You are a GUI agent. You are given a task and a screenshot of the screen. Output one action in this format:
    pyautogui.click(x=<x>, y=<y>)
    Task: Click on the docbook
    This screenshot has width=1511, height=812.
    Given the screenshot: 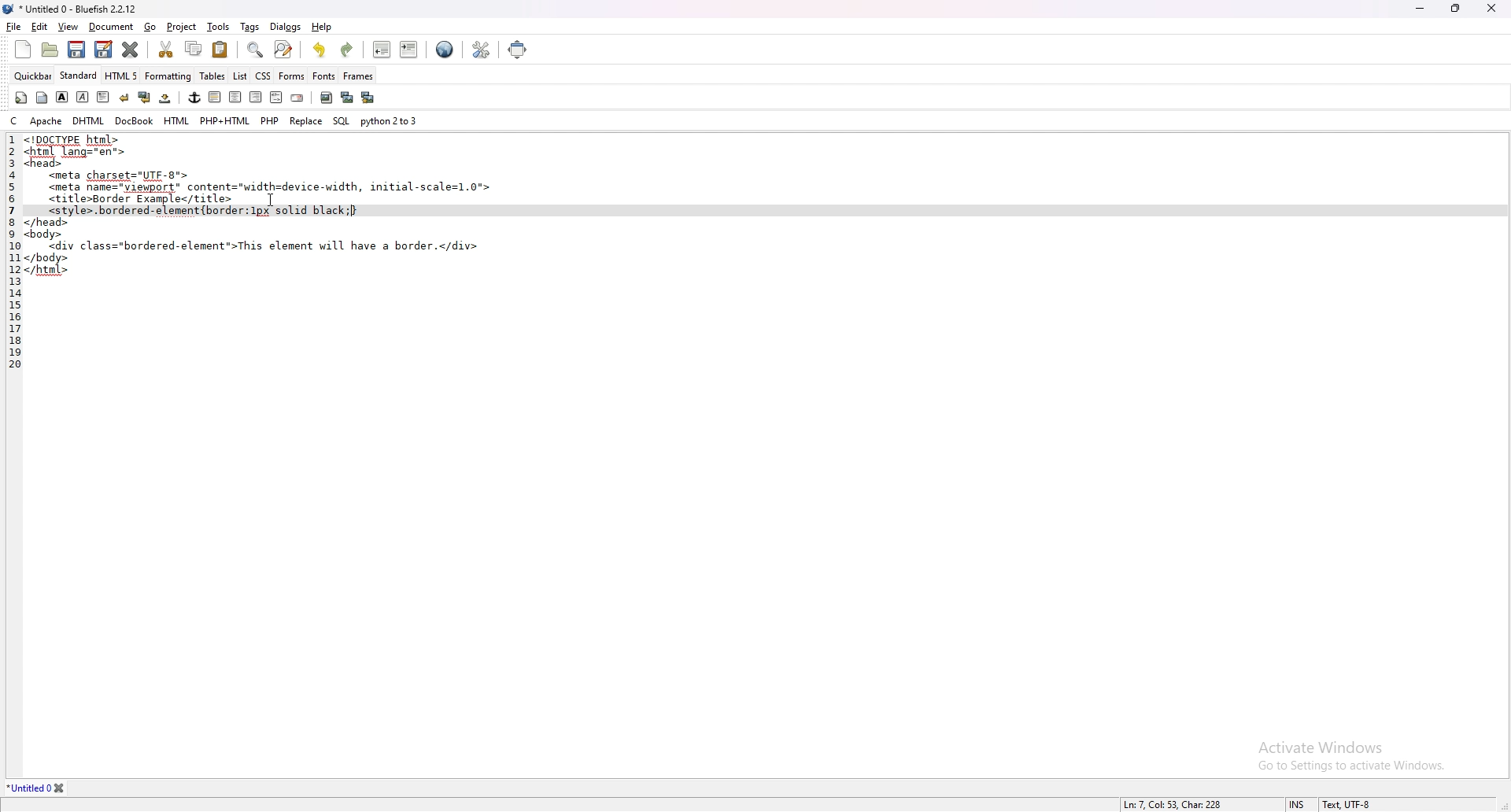 What is the action you would take?
    pyautogui.click(x=134, y=120)
    